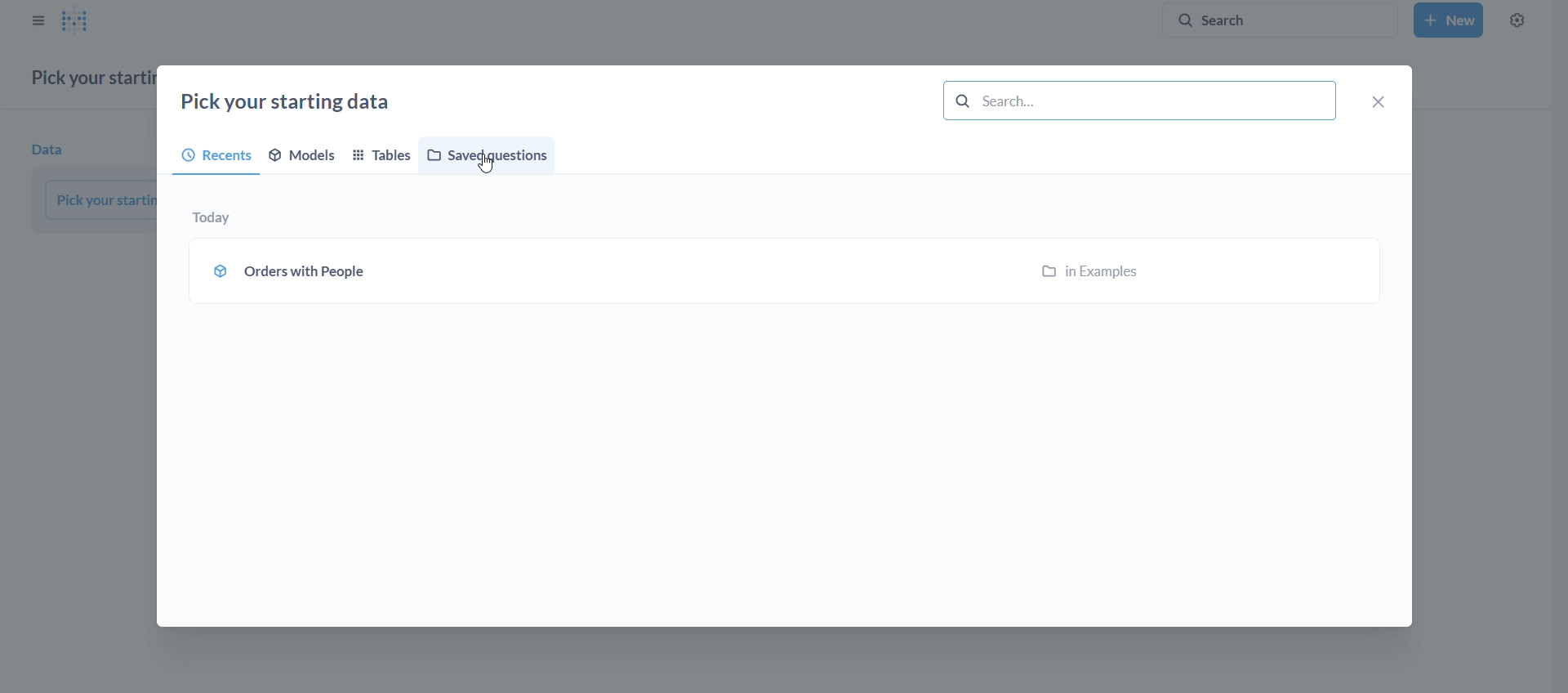 The height and width of the screenshot is (693, 1568). I want to click on orders with people, so click(784, 273).